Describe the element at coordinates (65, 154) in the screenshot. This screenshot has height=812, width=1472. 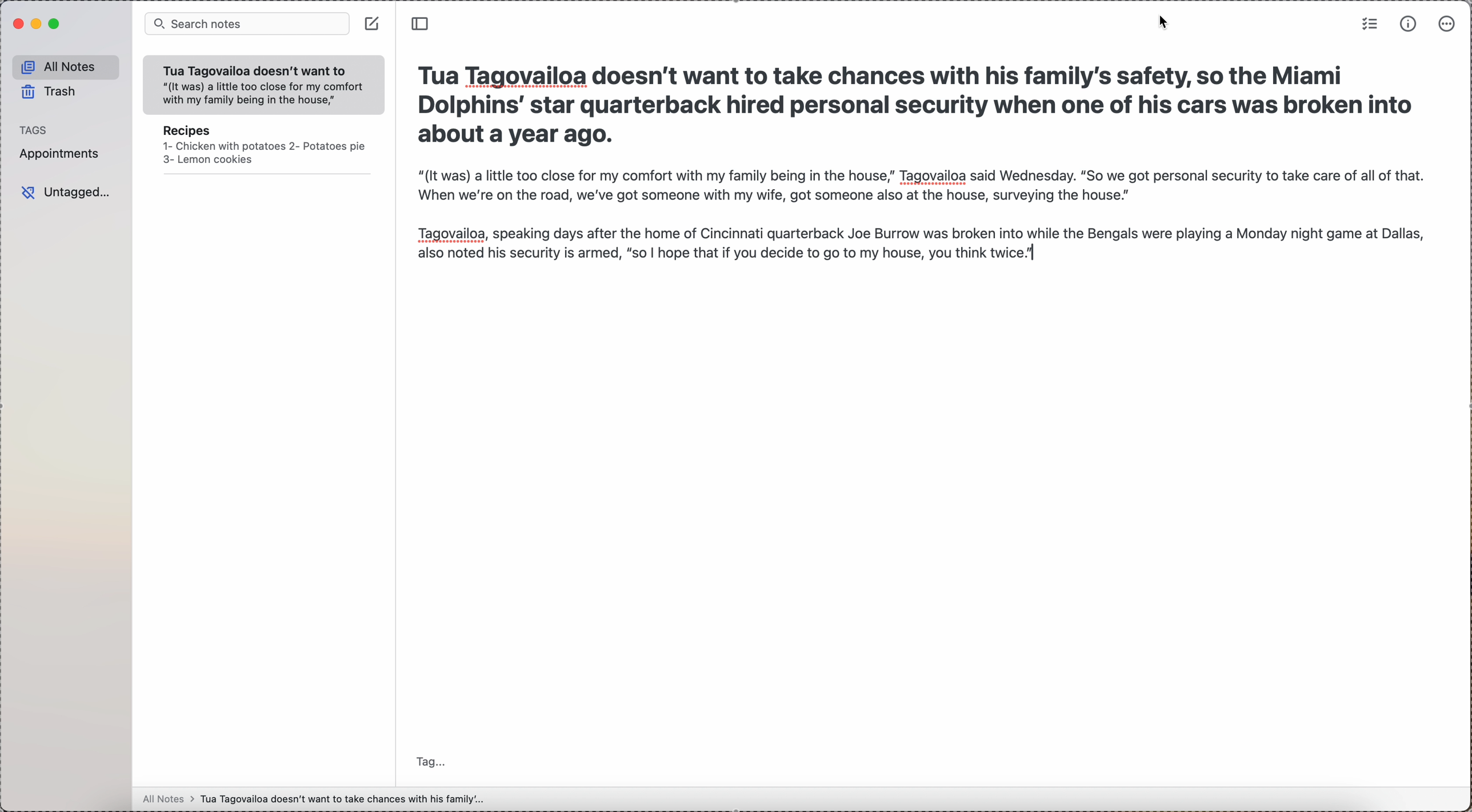
I see `appointments` at that location.